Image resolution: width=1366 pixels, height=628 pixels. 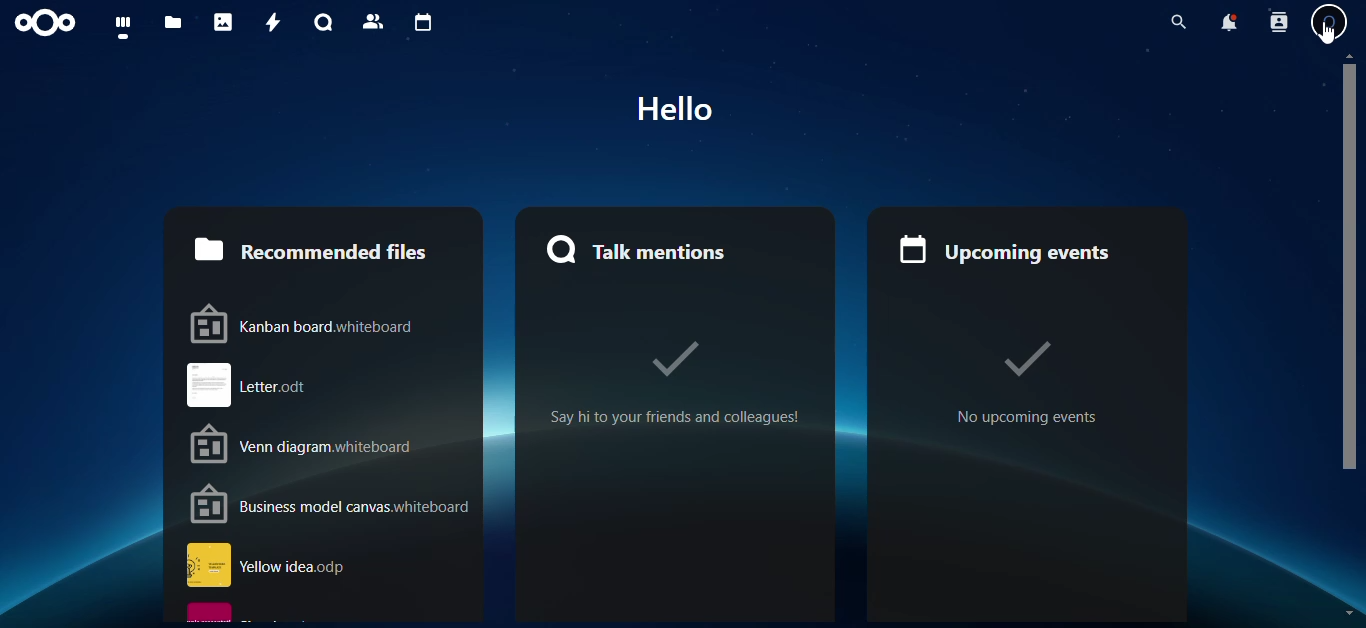 What do you see at coordinates (331, 504) in the screenshot?
I see `Business model canvas whiteboard` at bounding box center [331, 504].